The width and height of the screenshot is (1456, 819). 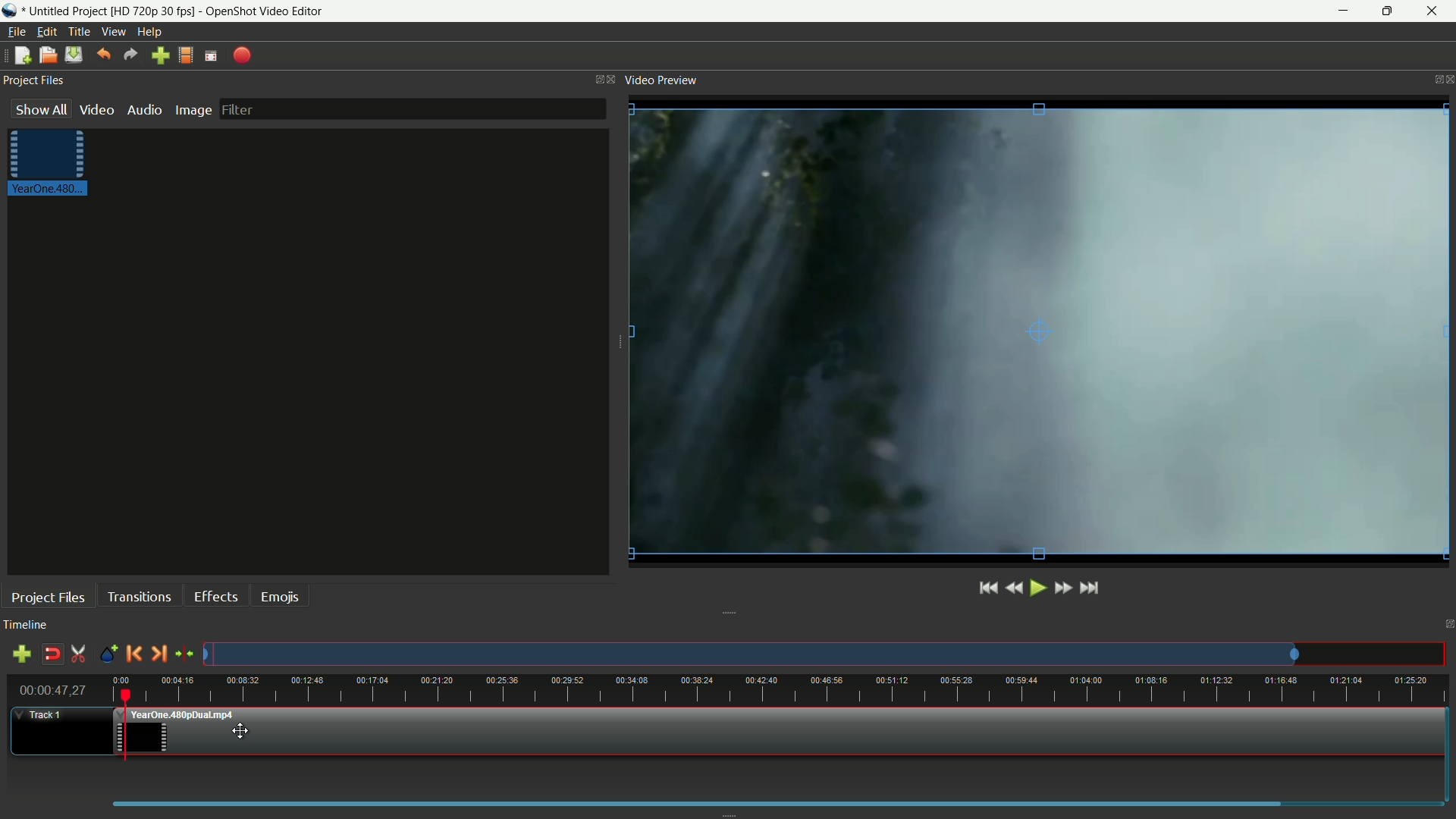 What do you see at coordinates (1038, 589) in the screenshot?
I see `play or pause` at bounding box center [1038, 589].